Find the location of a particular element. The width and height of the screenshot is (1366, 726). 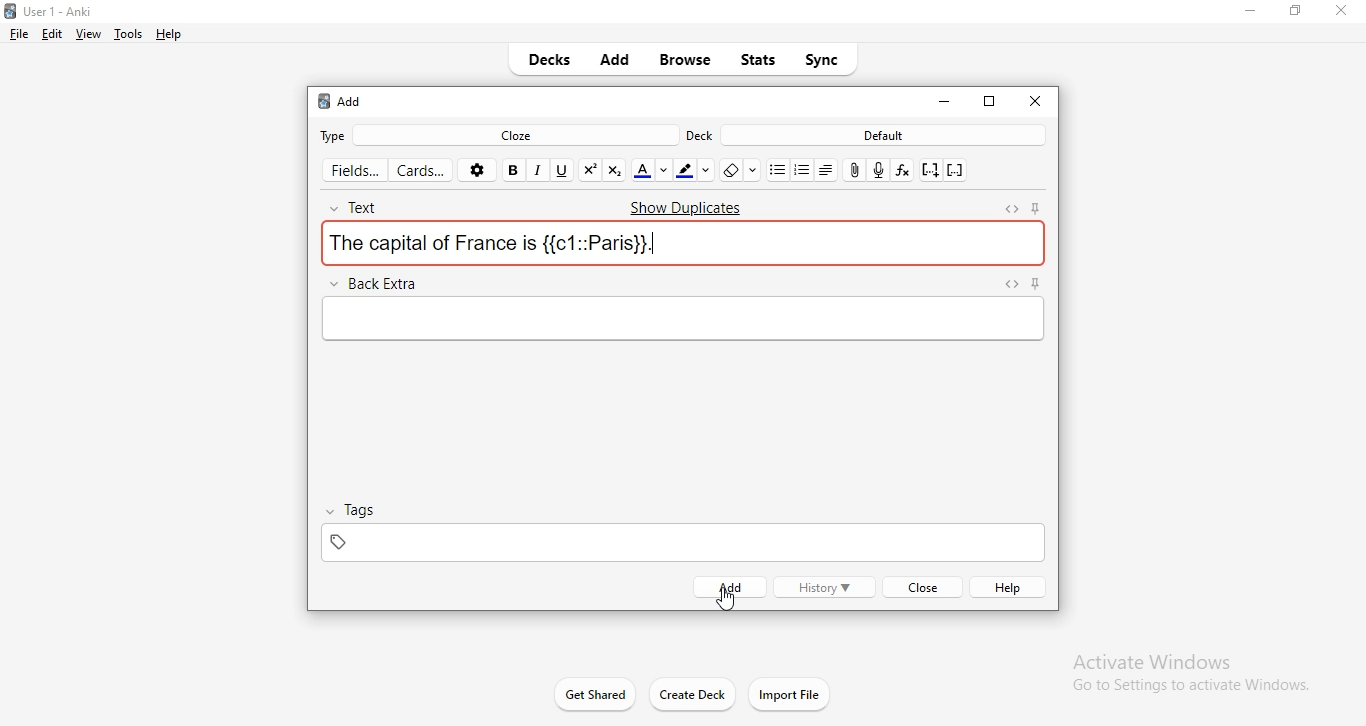

minimise is located at coordinates (1249, 14).